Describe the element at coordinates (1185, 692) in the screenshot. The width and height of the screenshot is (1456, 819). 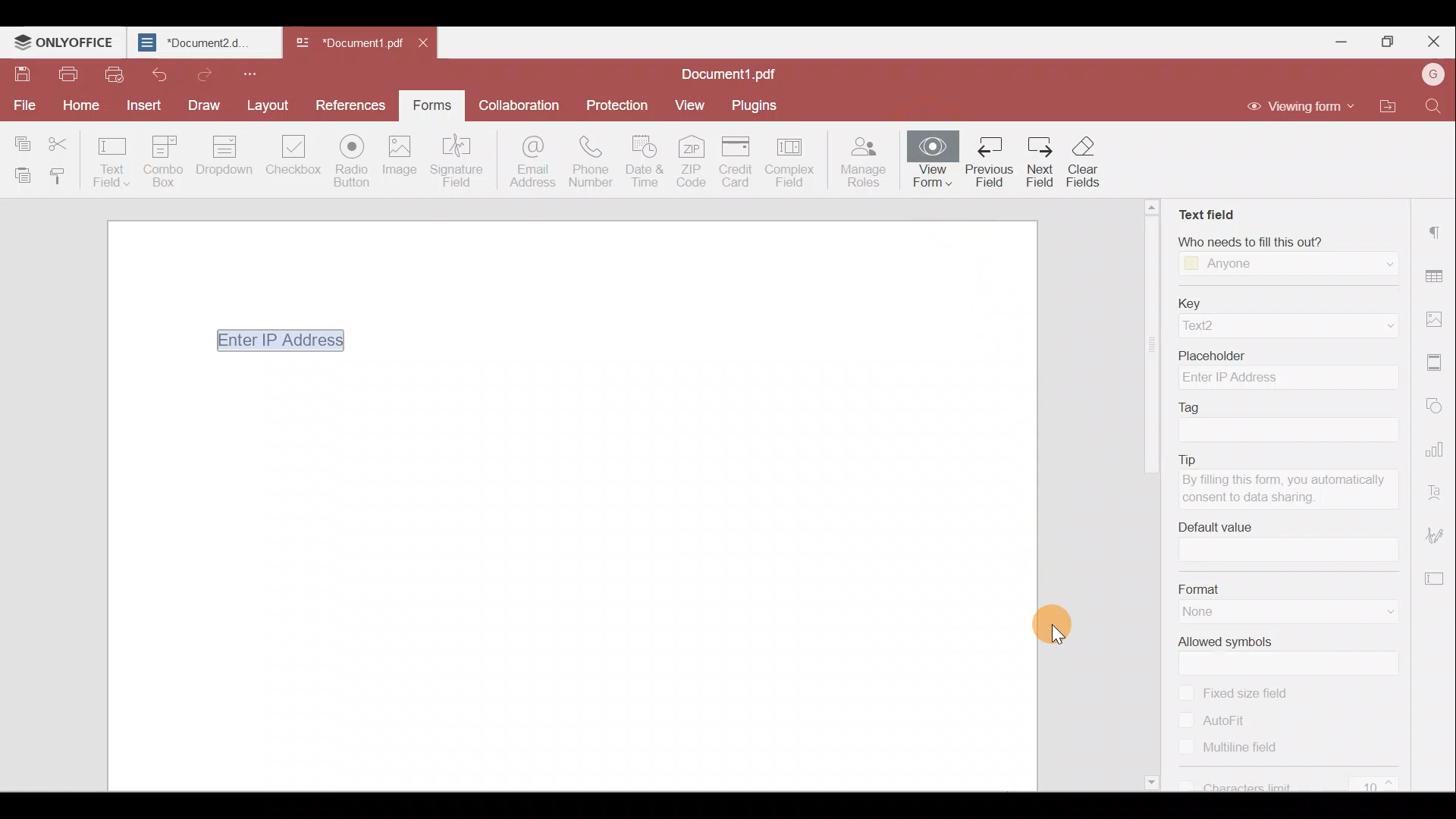
I see `checkbox` at that location.